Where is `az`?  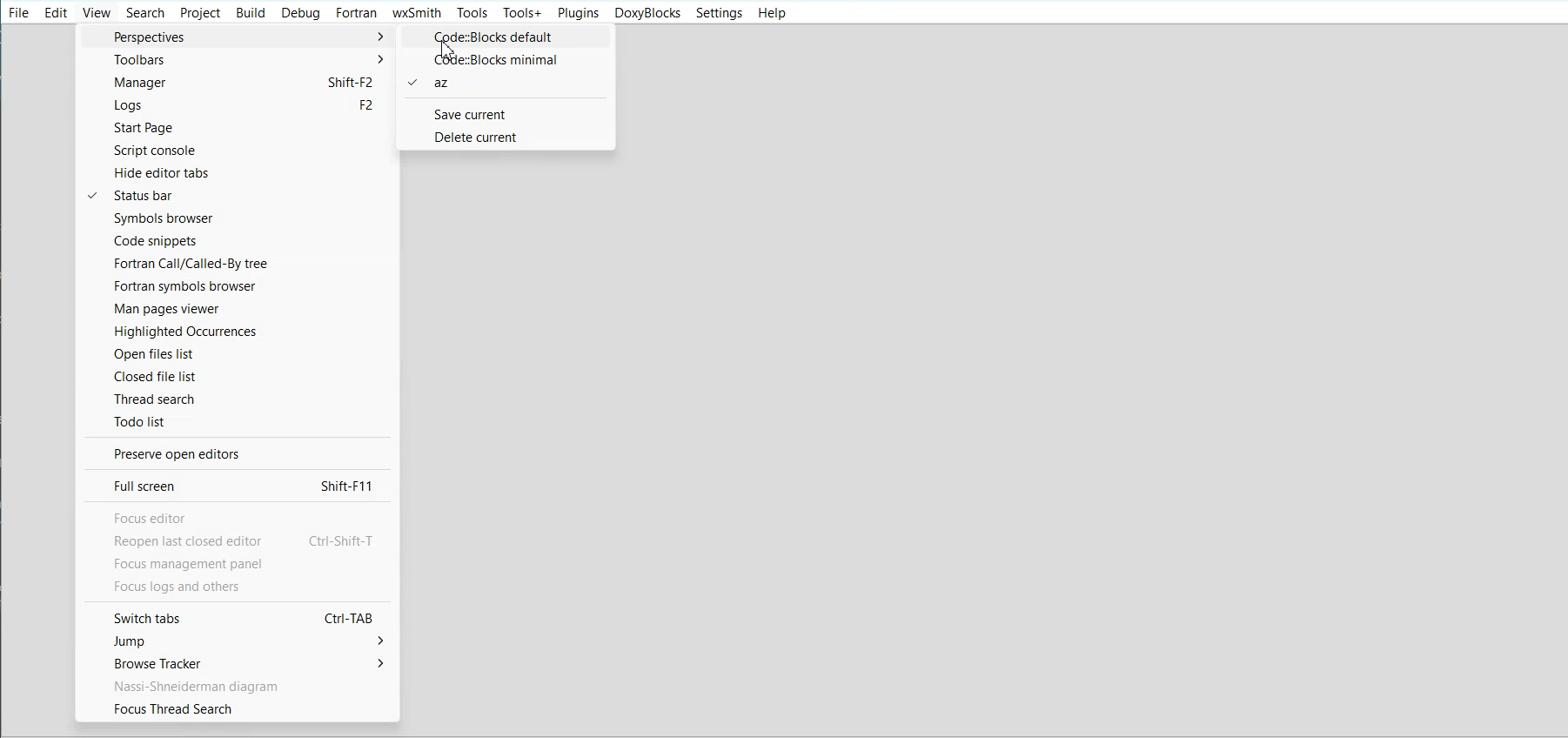 az is located at coordinates (499, 84).